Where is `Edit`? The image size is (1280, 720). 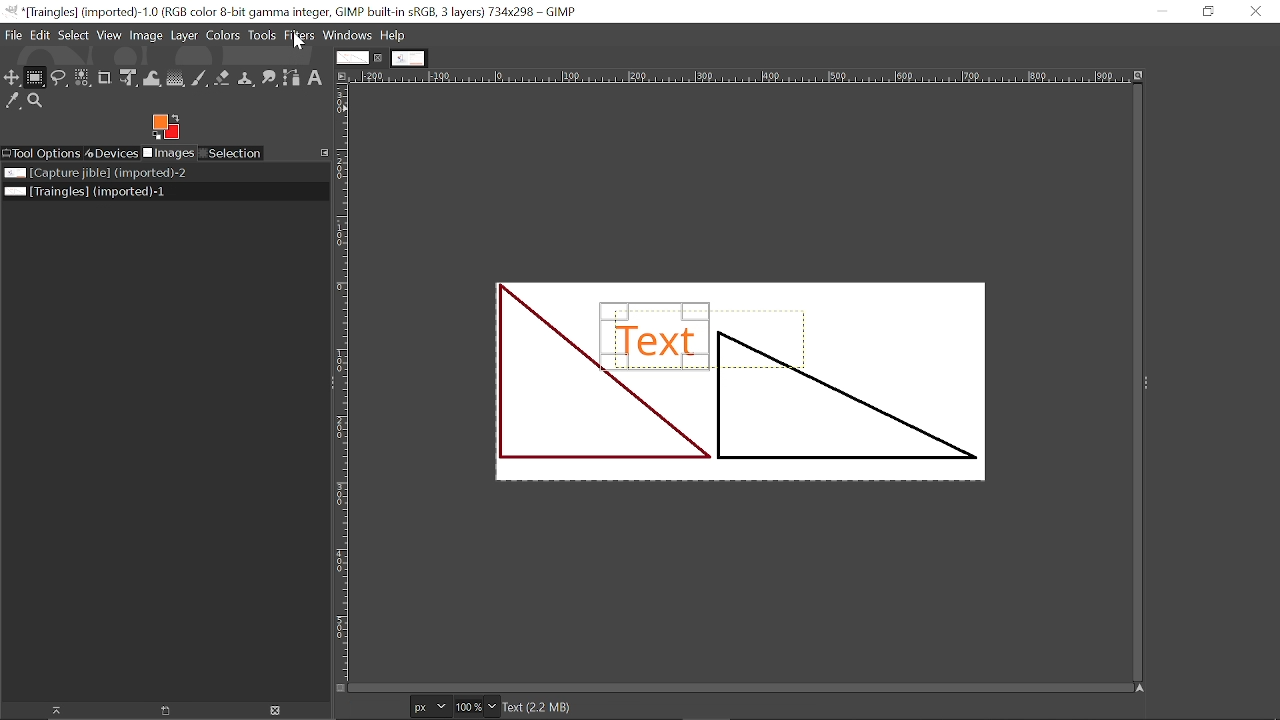
Edit is located at coordinates (40, 35).